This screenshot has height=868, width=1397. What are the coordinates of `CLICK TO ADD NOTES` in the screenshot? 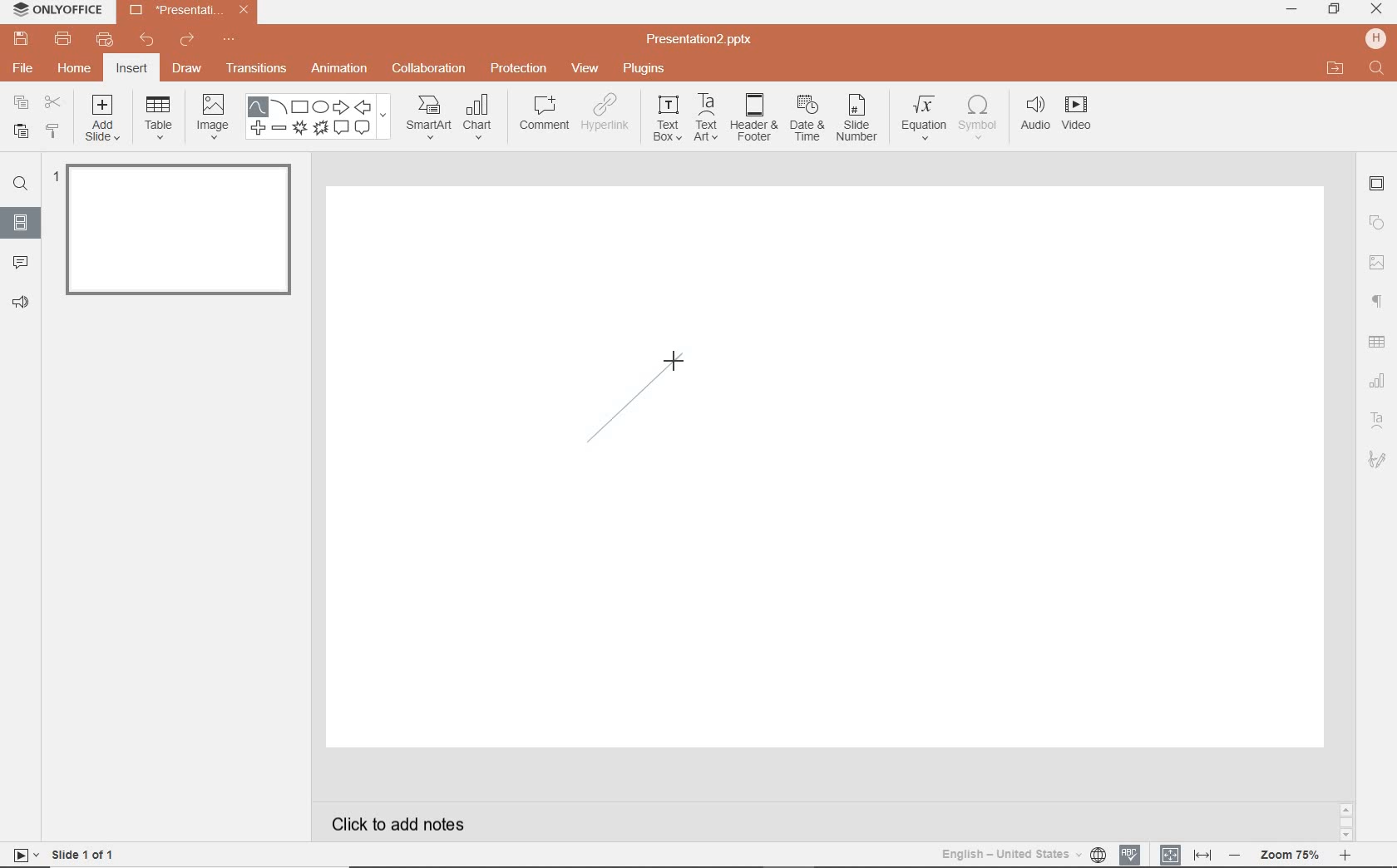 It's located at (403, 824).